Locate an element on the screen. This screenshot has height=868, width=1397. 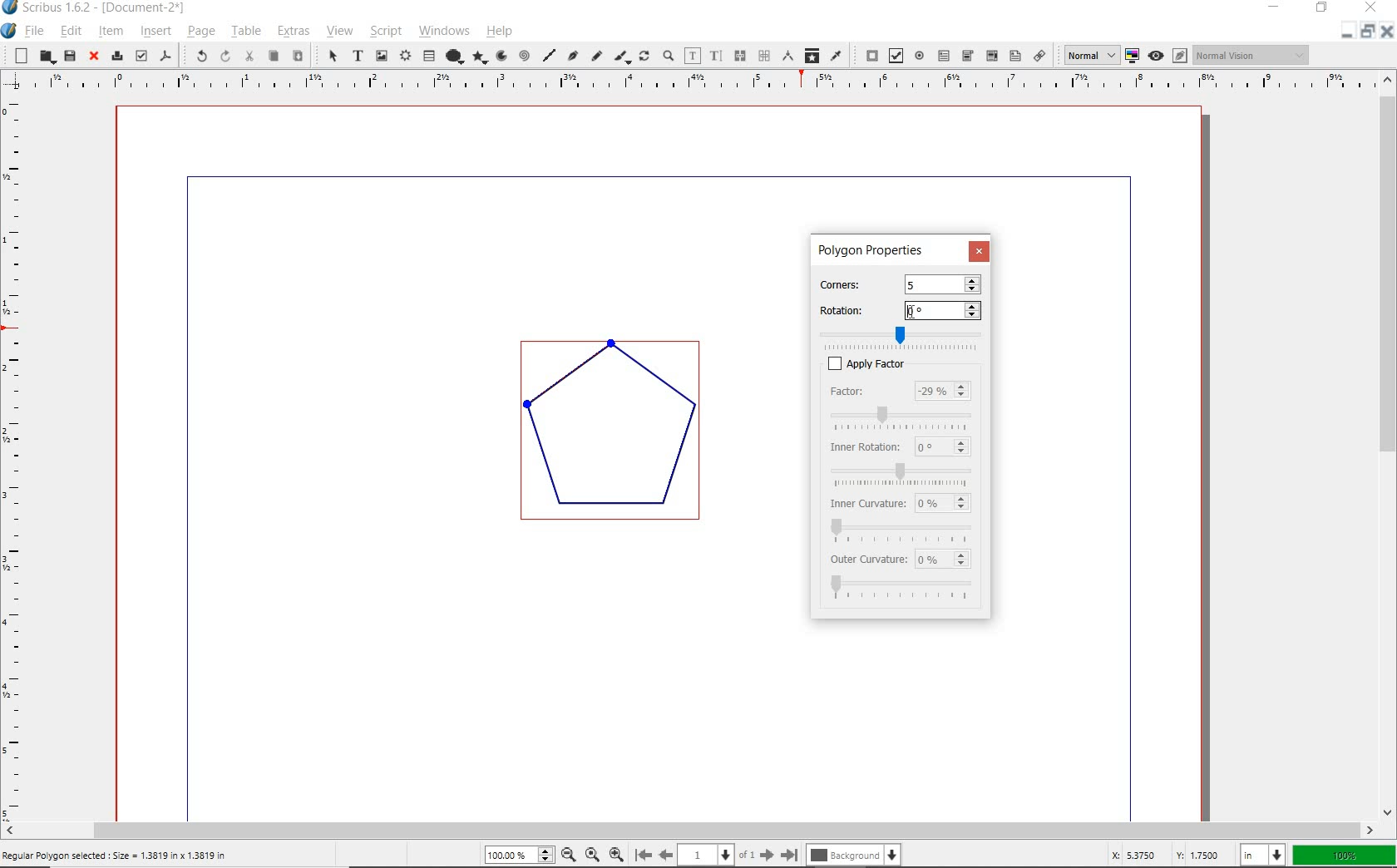
freehand line is located at coordinates (596, 57).